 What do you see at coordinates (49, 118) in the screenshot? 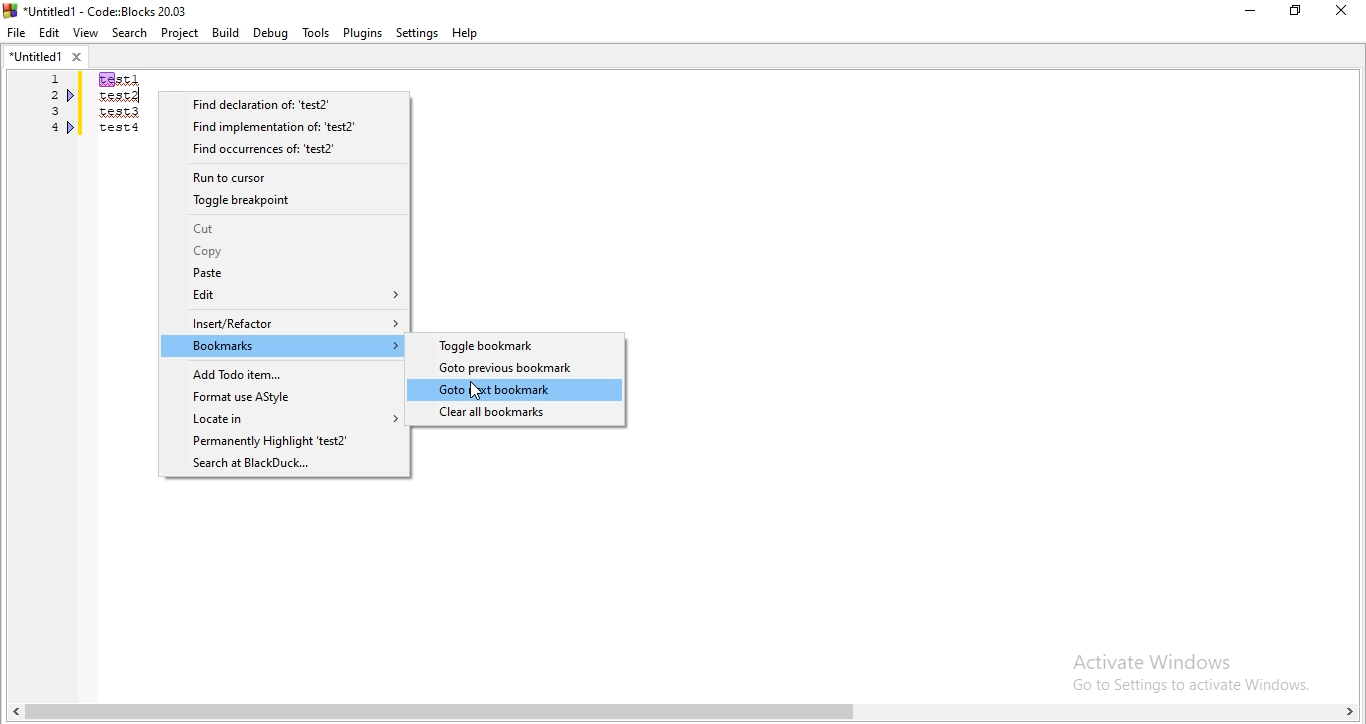
I see `1,2,3,4,5` at bounding box center [49, 118].